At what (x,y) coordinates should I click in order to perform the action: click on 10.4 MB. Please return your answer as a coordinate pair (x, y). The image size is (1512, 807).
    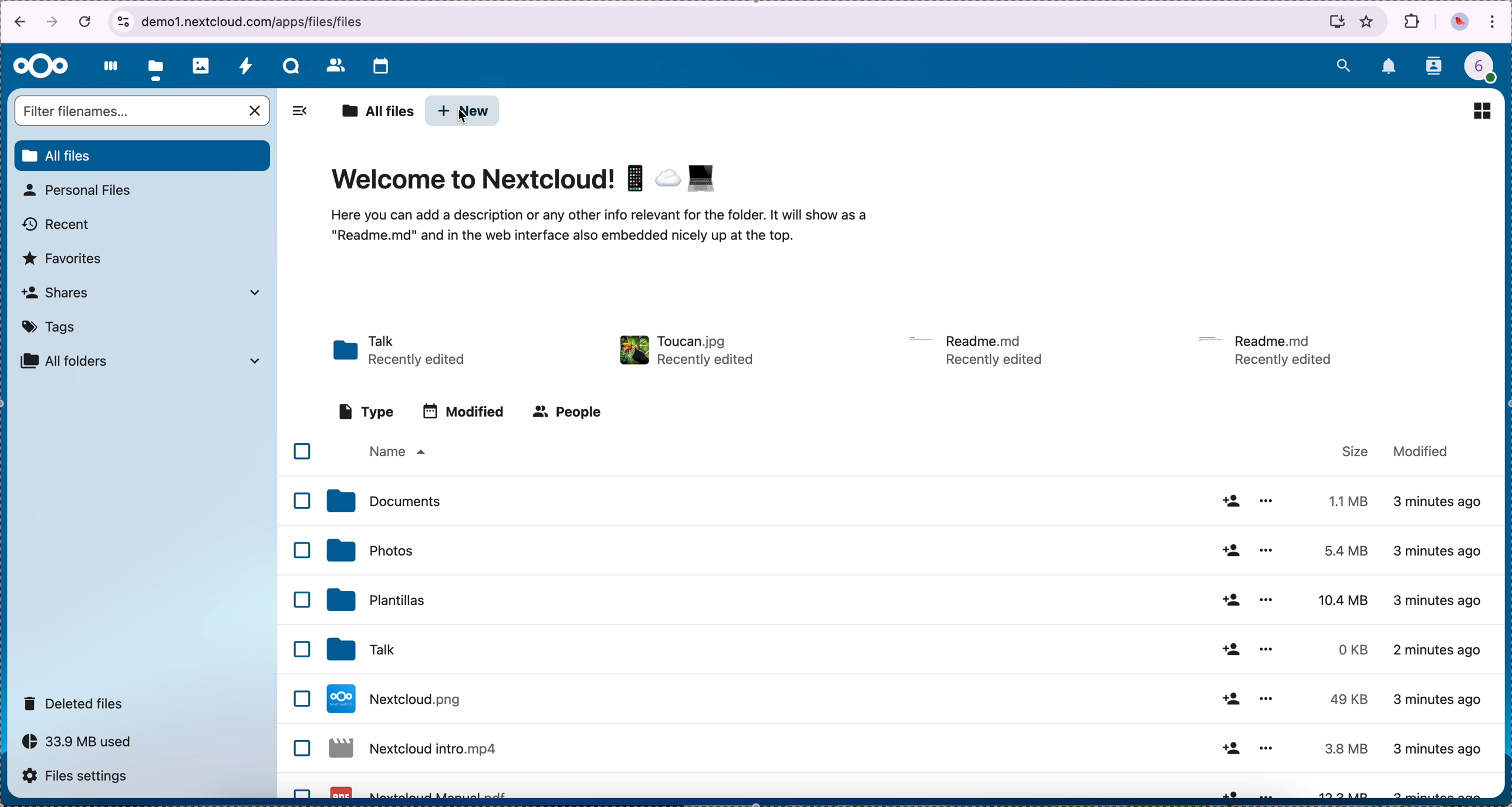
    Looking at the image, I should click on (1345, 601).